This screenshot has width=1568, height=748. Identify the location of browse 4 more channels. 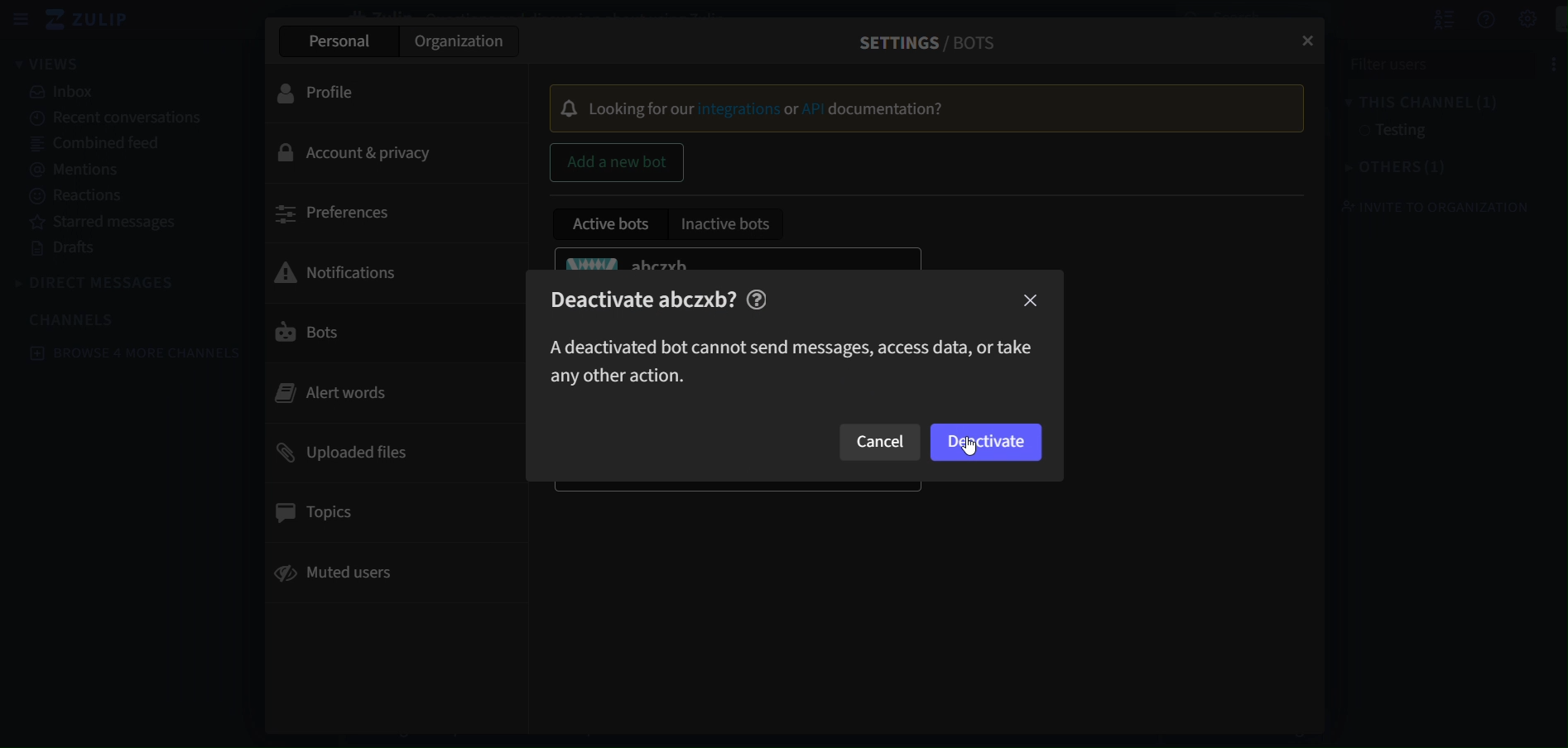
(132, 353).